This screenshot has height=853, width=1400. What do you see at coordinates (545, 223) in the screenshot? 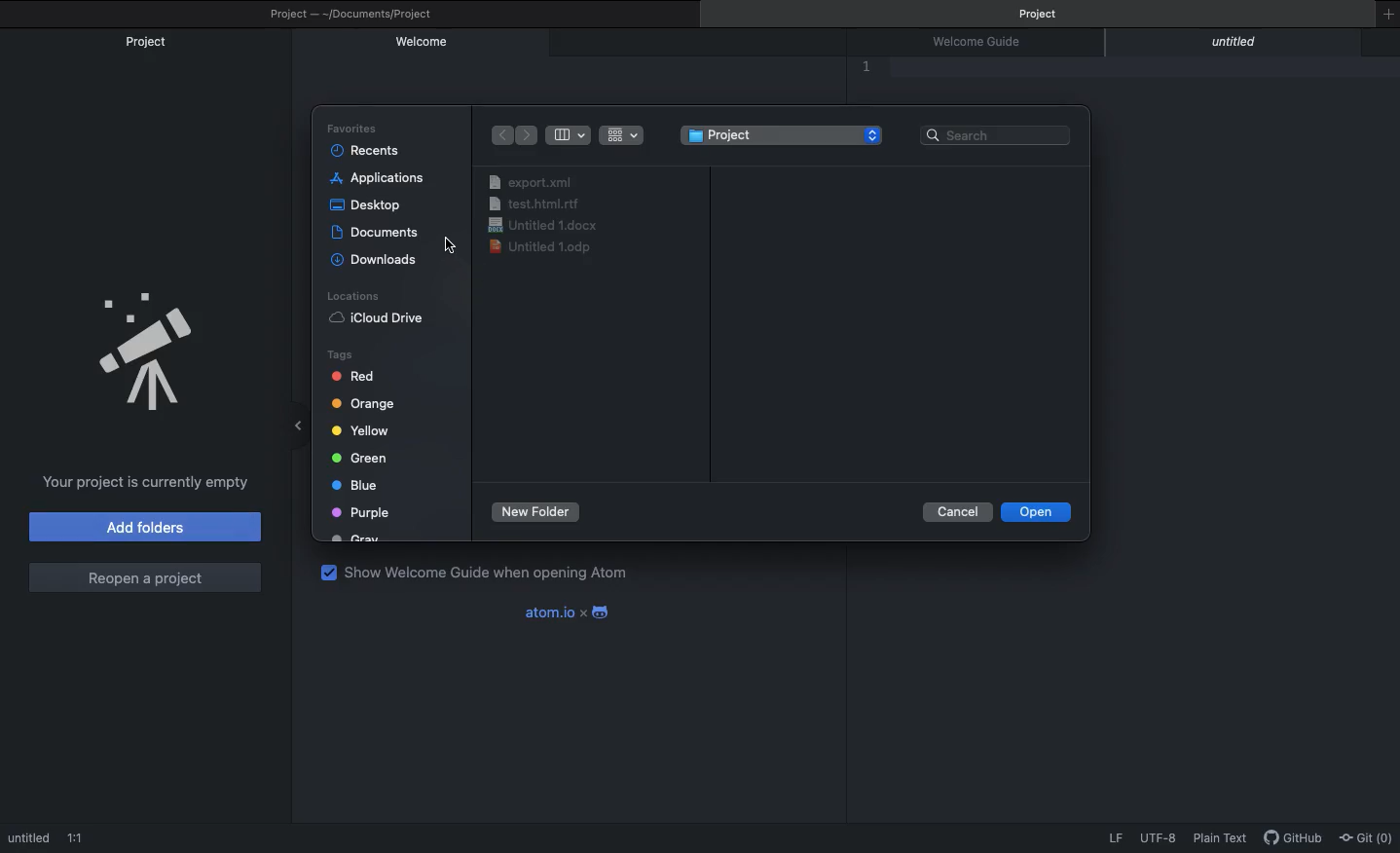
I see `_ IB Untitled 1.docx` at bounding box center [545, 223].